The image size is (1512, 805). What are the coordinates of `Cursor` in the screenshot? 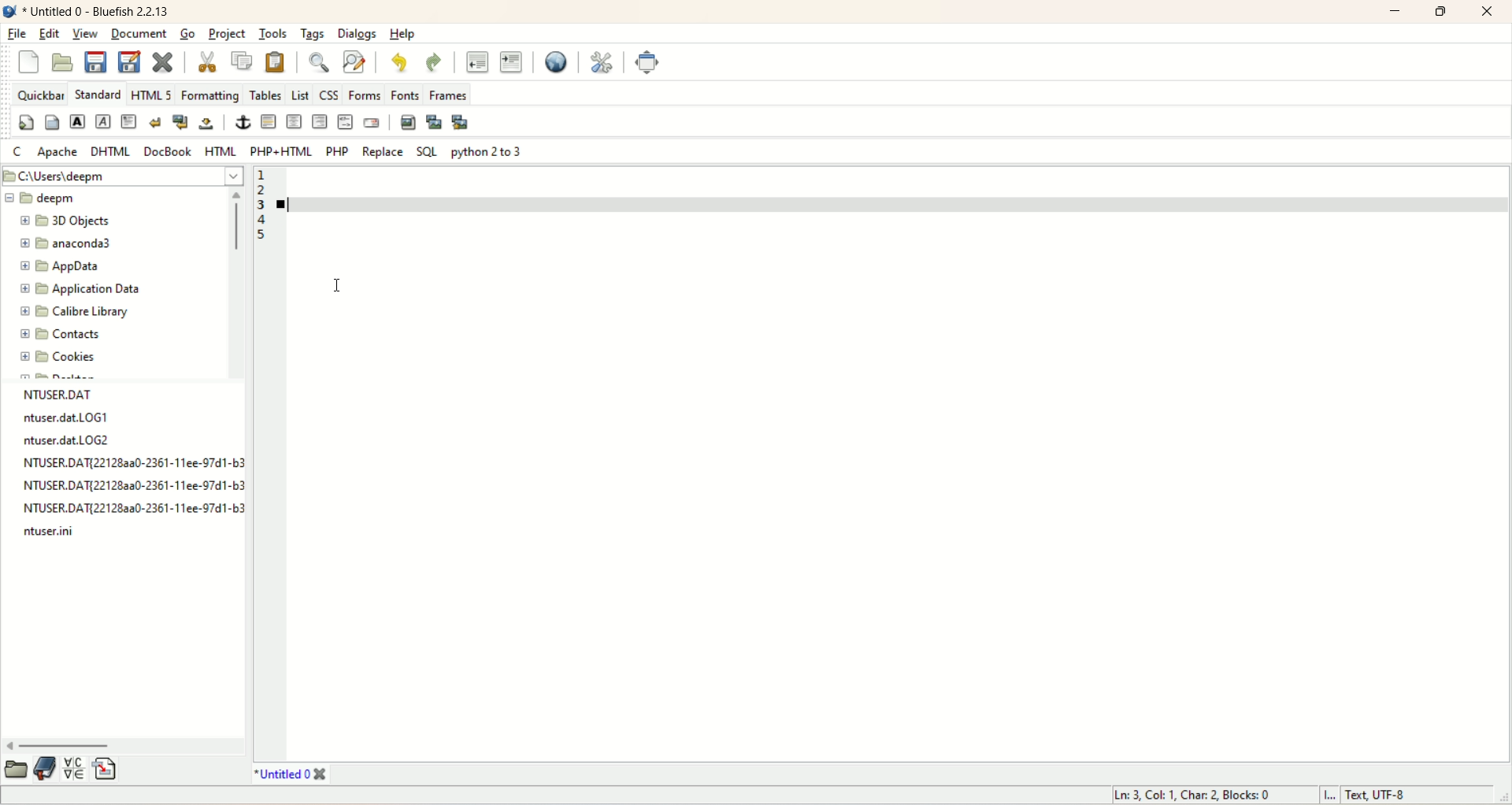 It's located at (340, 284).